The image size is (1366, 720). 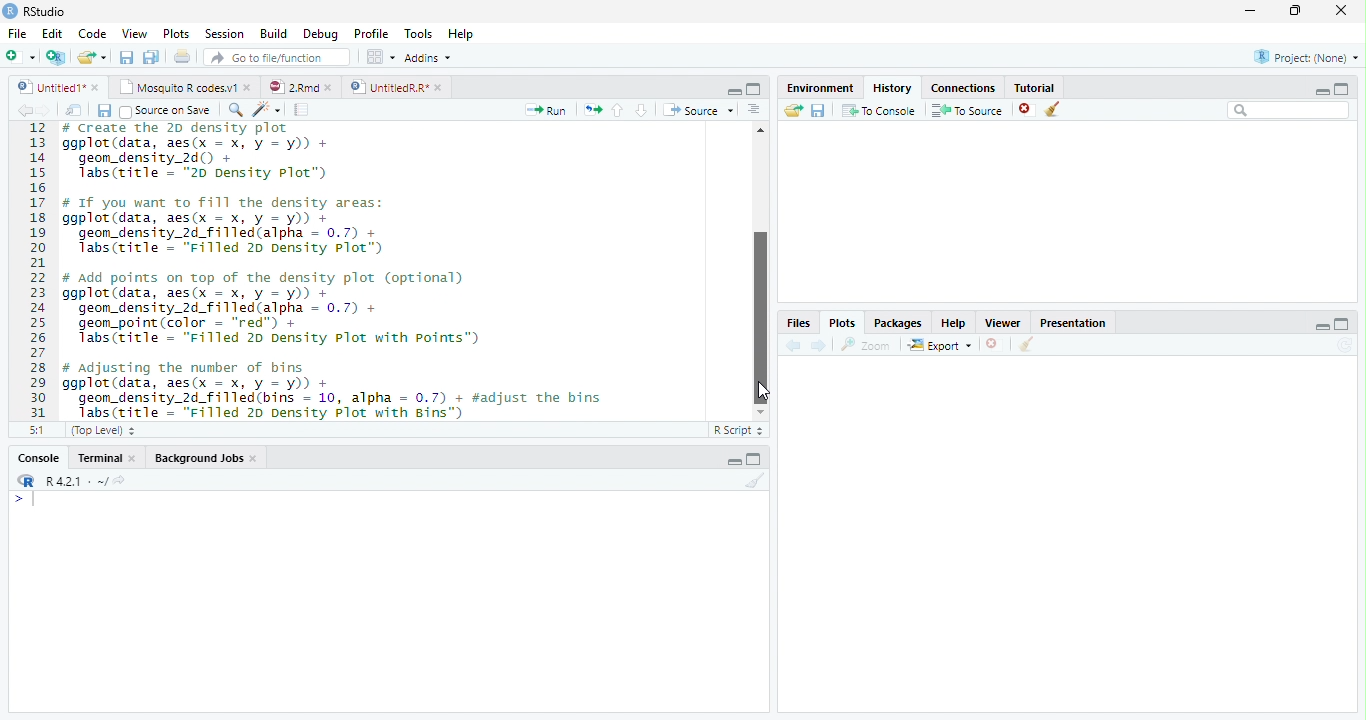 What do you see at coordinates (17, 35) in the screenshot?
I see `File` at bounding box center [17, 35].